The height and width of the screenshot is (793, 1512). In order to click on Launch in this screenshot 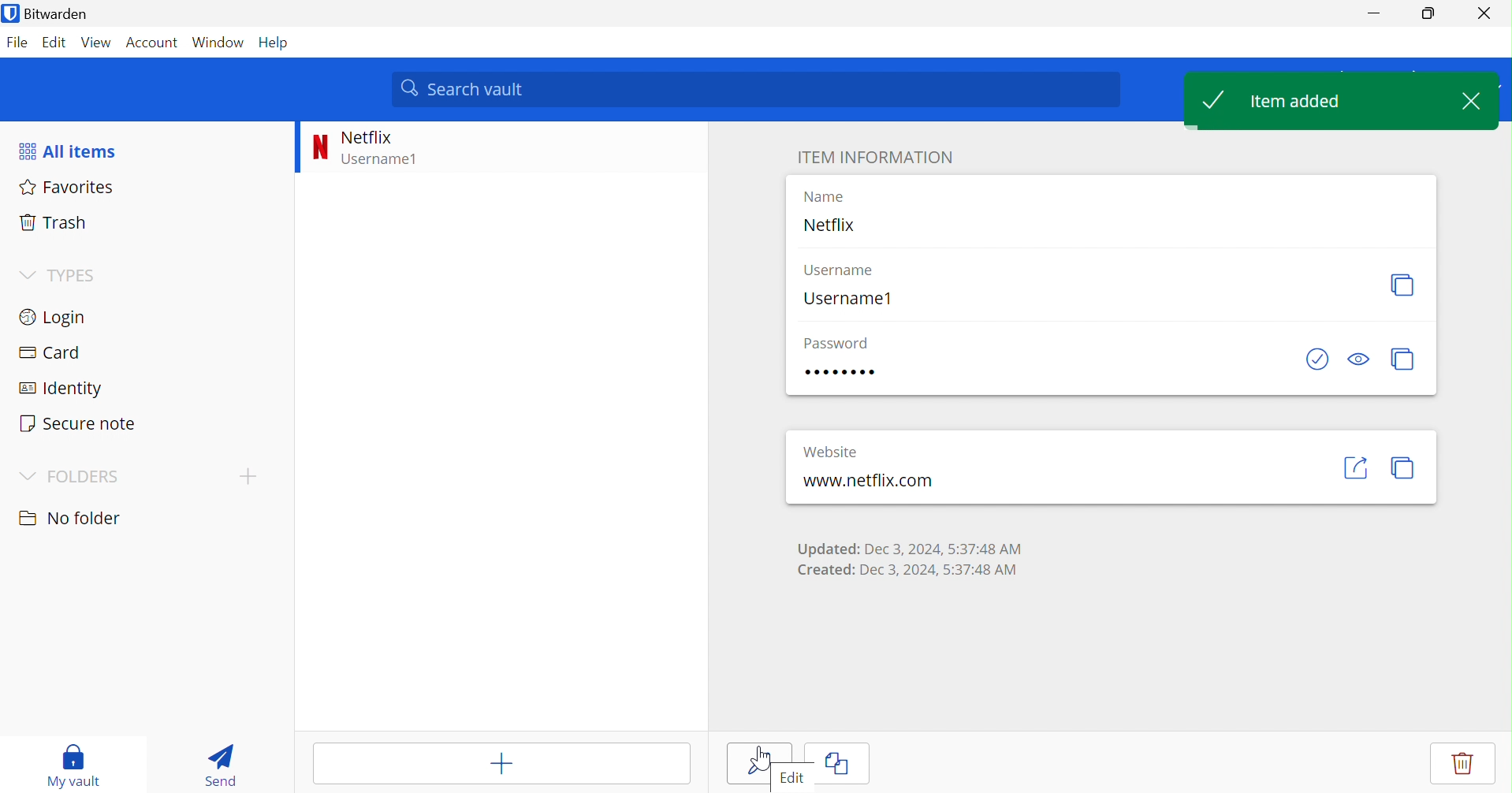, I will do `click(1357, 466)`.